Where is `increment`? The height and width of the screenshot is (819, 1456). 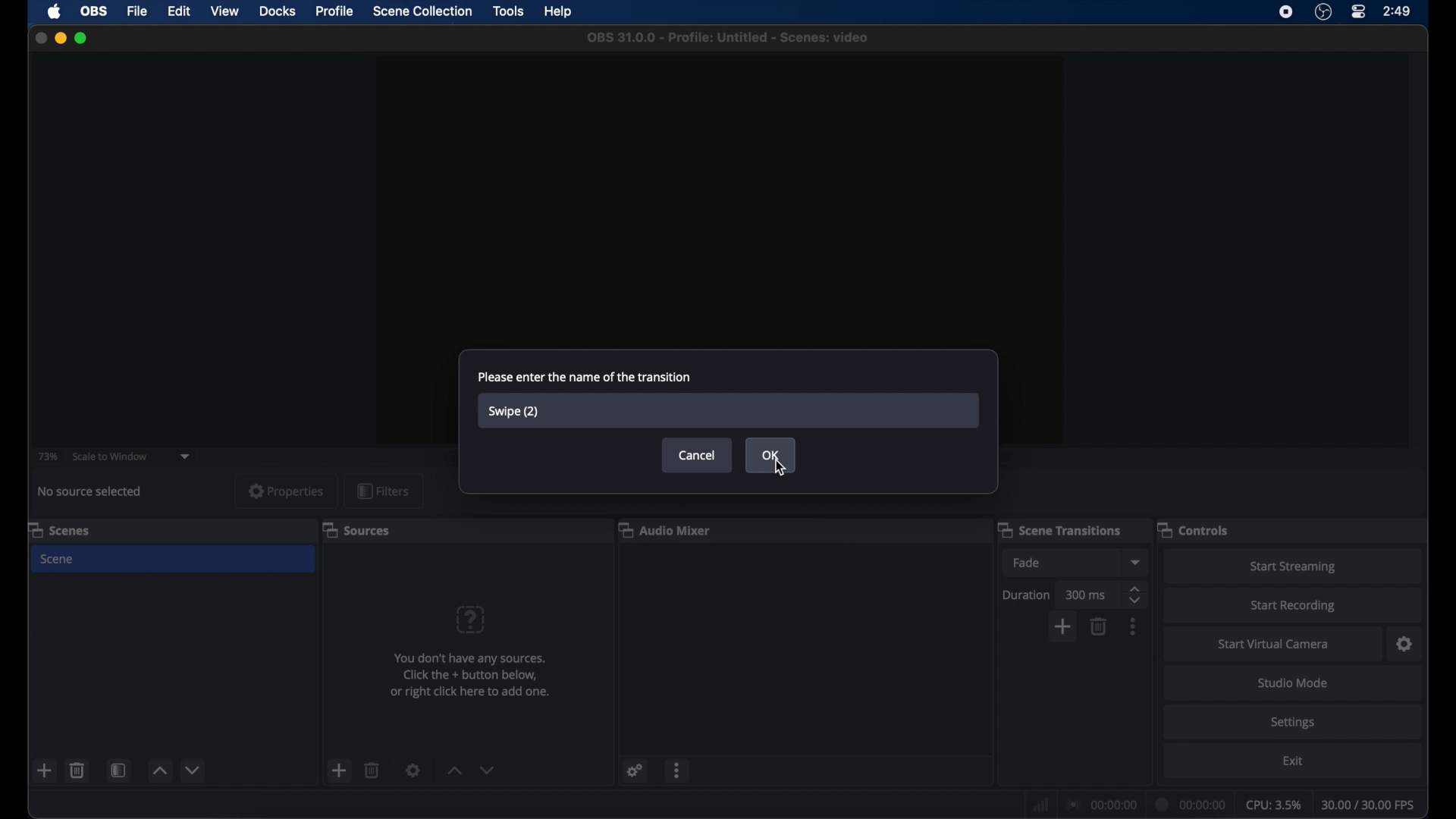
increment is located at coordinates (455, 770).